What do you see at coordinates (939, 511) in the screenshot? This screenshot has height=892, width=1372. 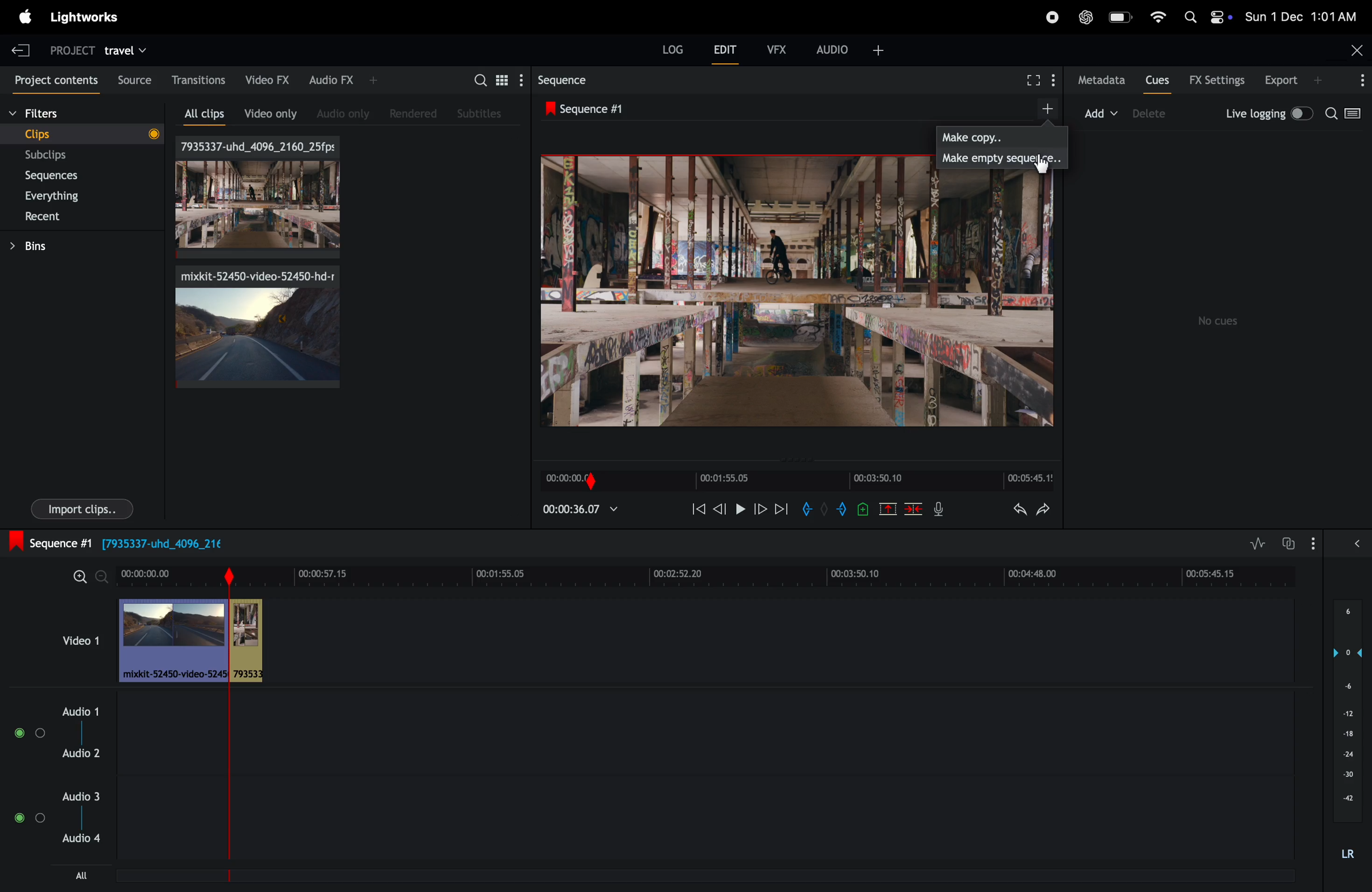 I see `mic` at bounding box center [939, 511].